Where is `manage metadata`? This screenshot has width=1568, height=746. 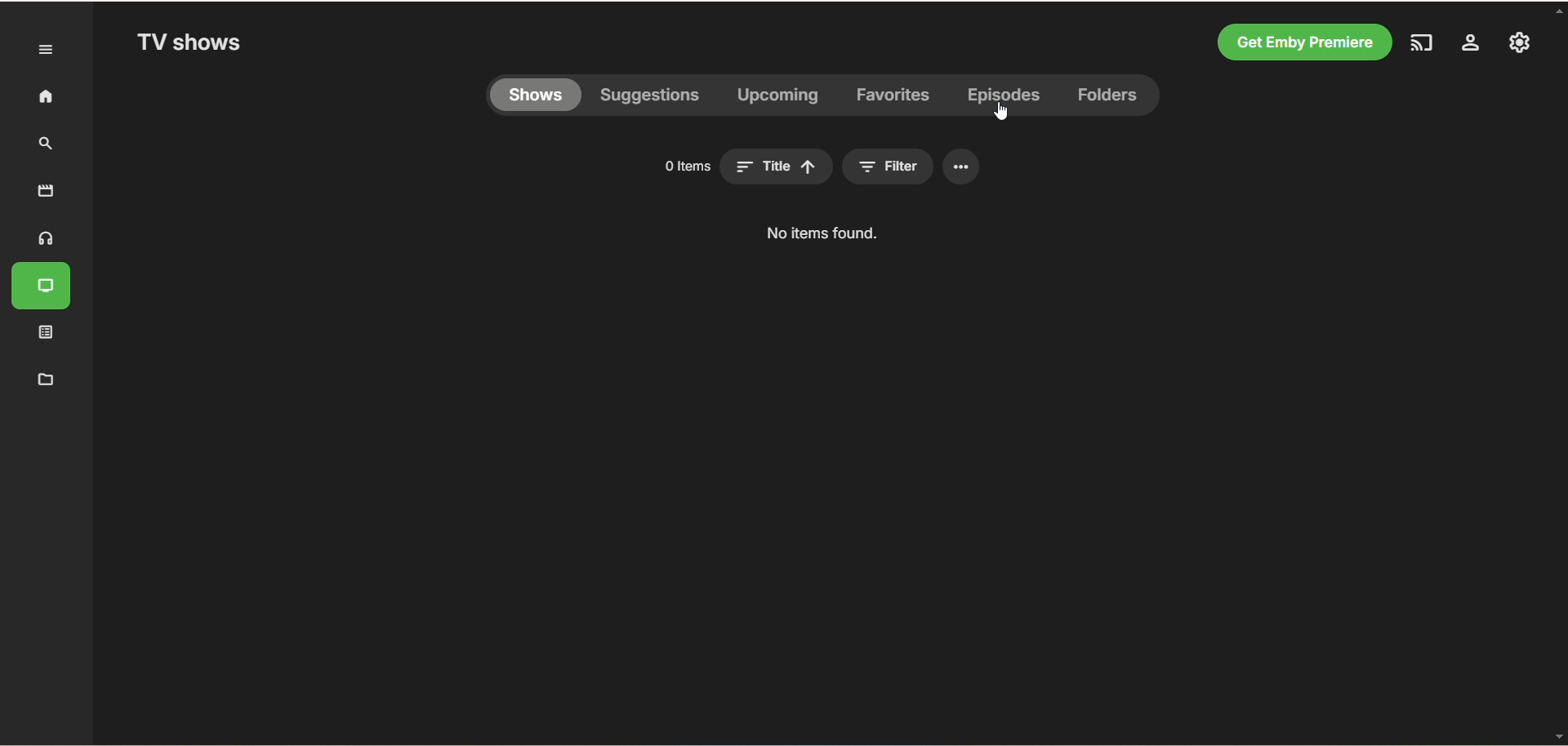
manage metadata is located at coordinates (47, 380).